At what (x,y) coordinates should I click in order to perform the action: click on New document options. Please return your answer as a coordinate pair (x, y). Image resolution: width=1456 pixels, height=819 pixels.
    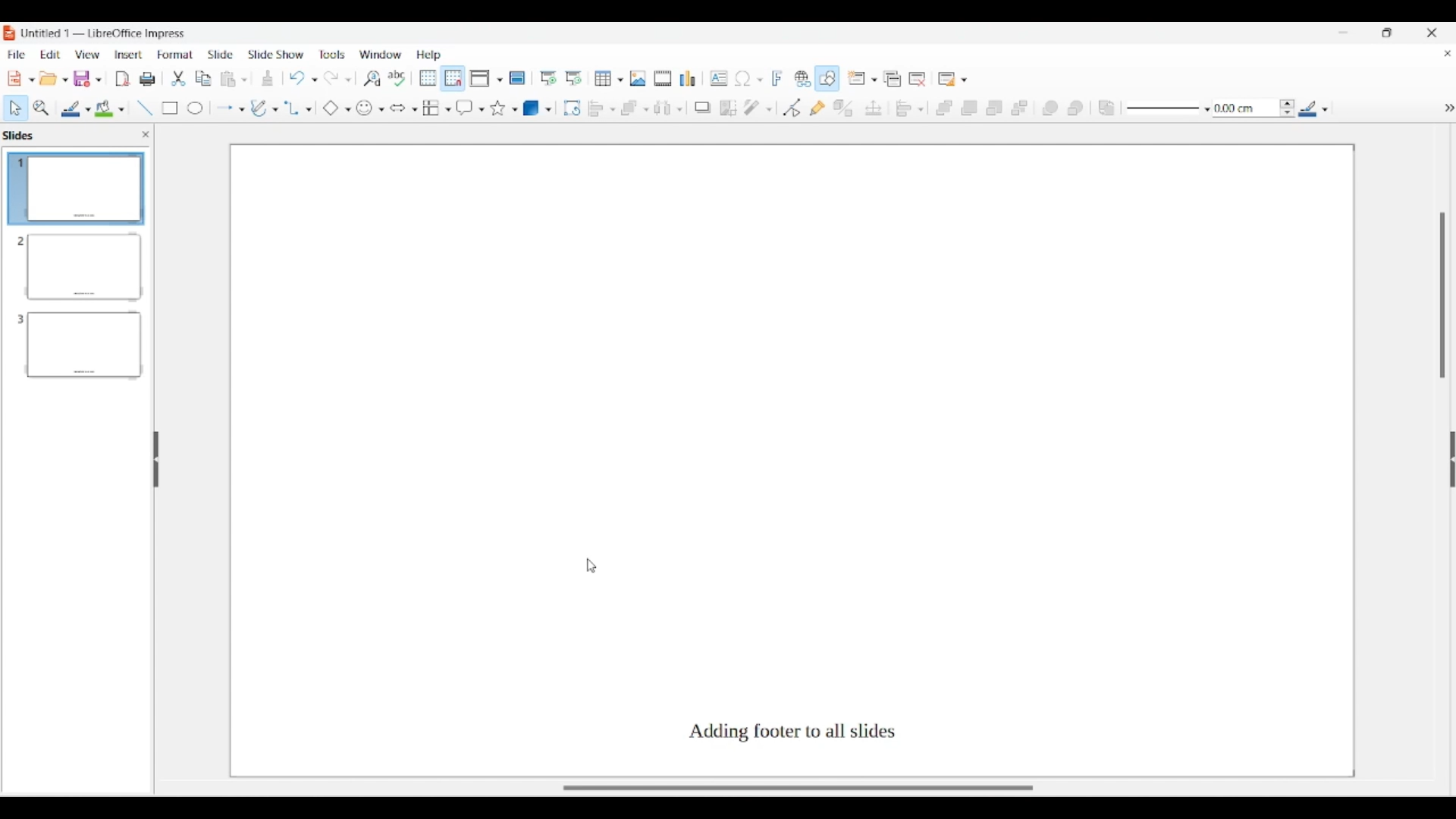
    Looking at the image, I should click on (21, 79).